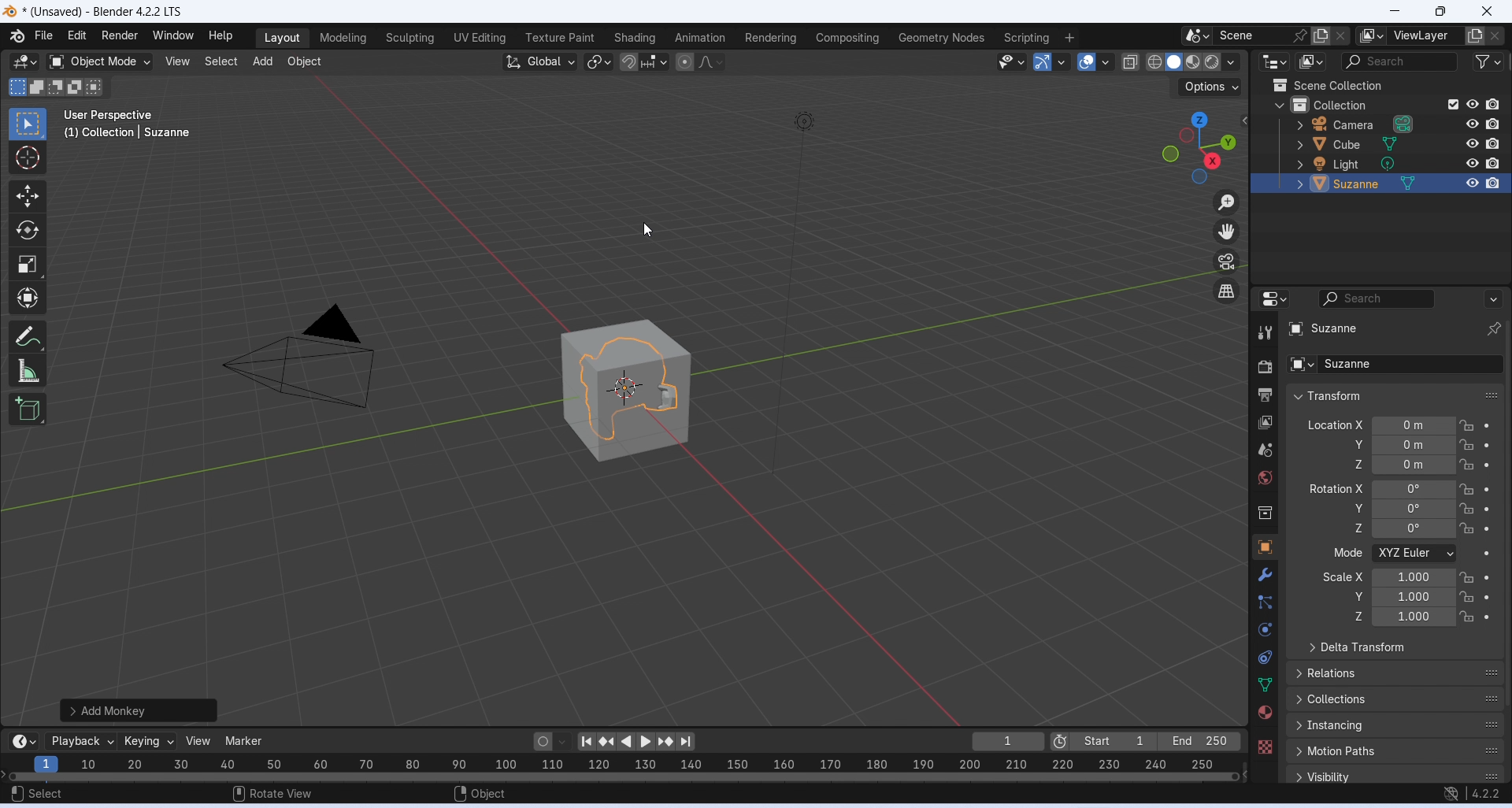 The height and width of the screenshot is (808, 1512). Describe the element at coordinates (1193, 61) in the screenshot. I see `material preview viewport shading` at that location.